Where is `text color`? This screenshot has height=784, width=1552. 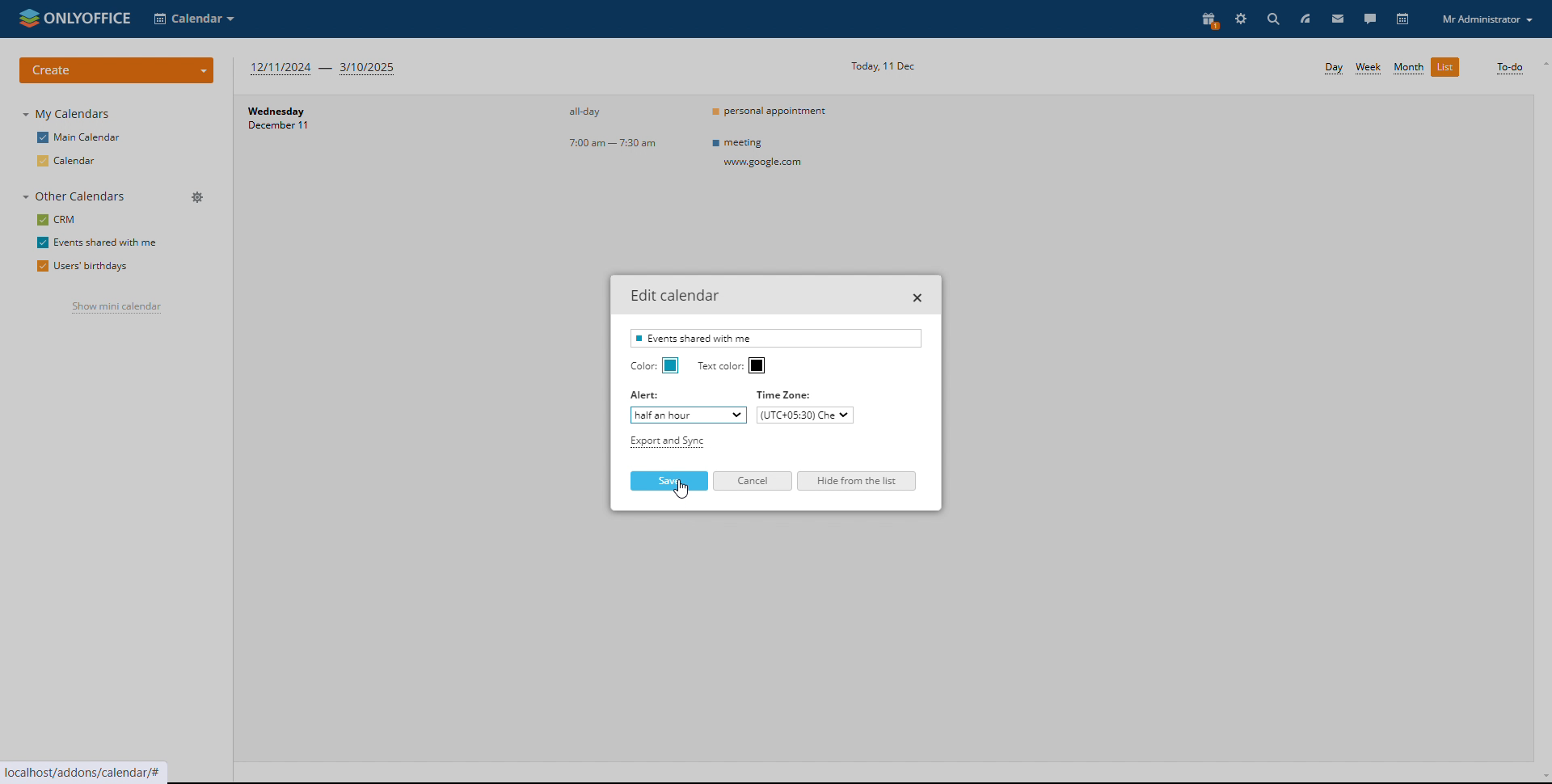
text color is located at coordinates (757, 365).